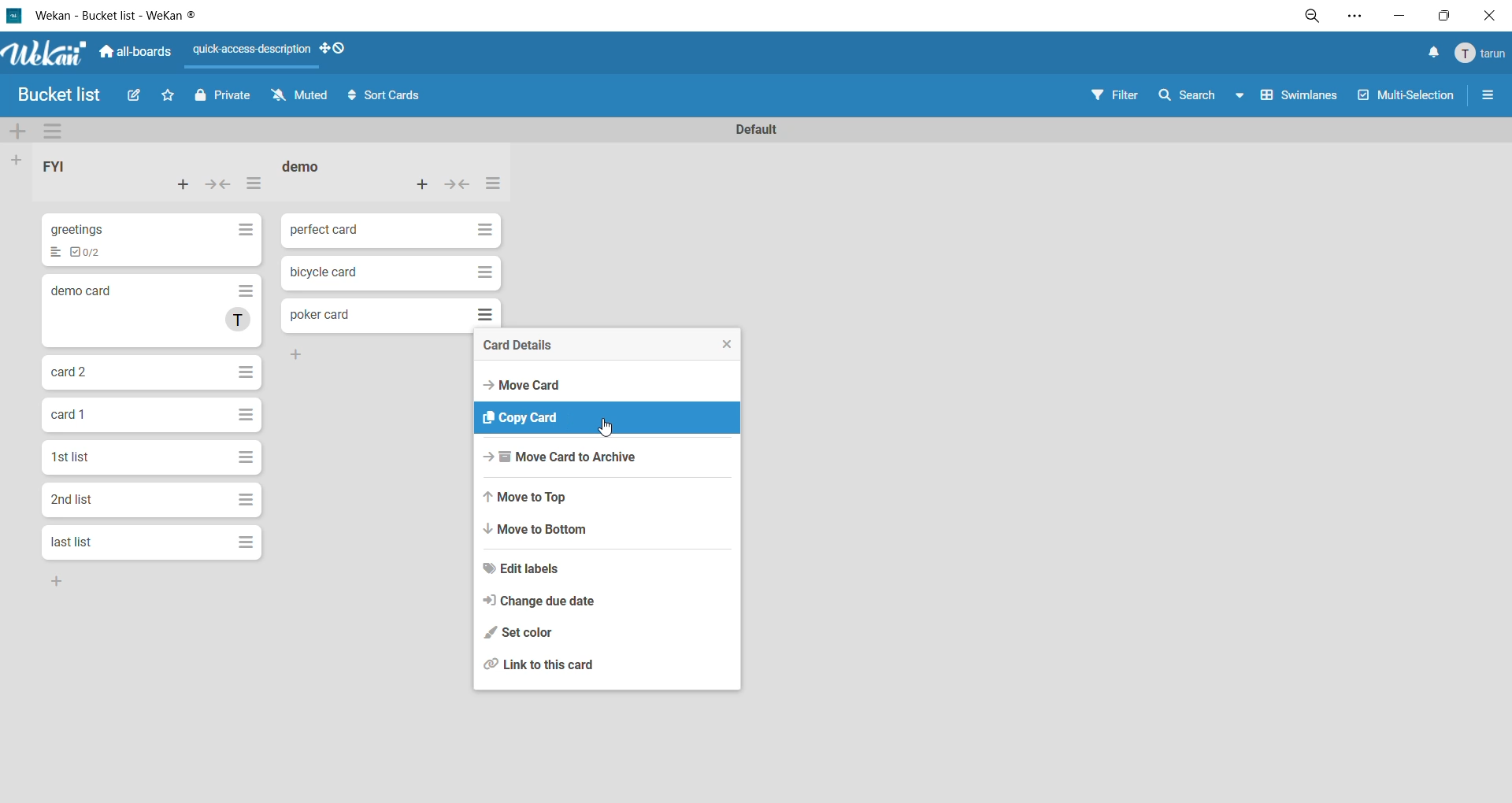  What do you see at coordinates (1429, 54) in the screenshot?
I see `notifications` at bounding box center [1429, 54].